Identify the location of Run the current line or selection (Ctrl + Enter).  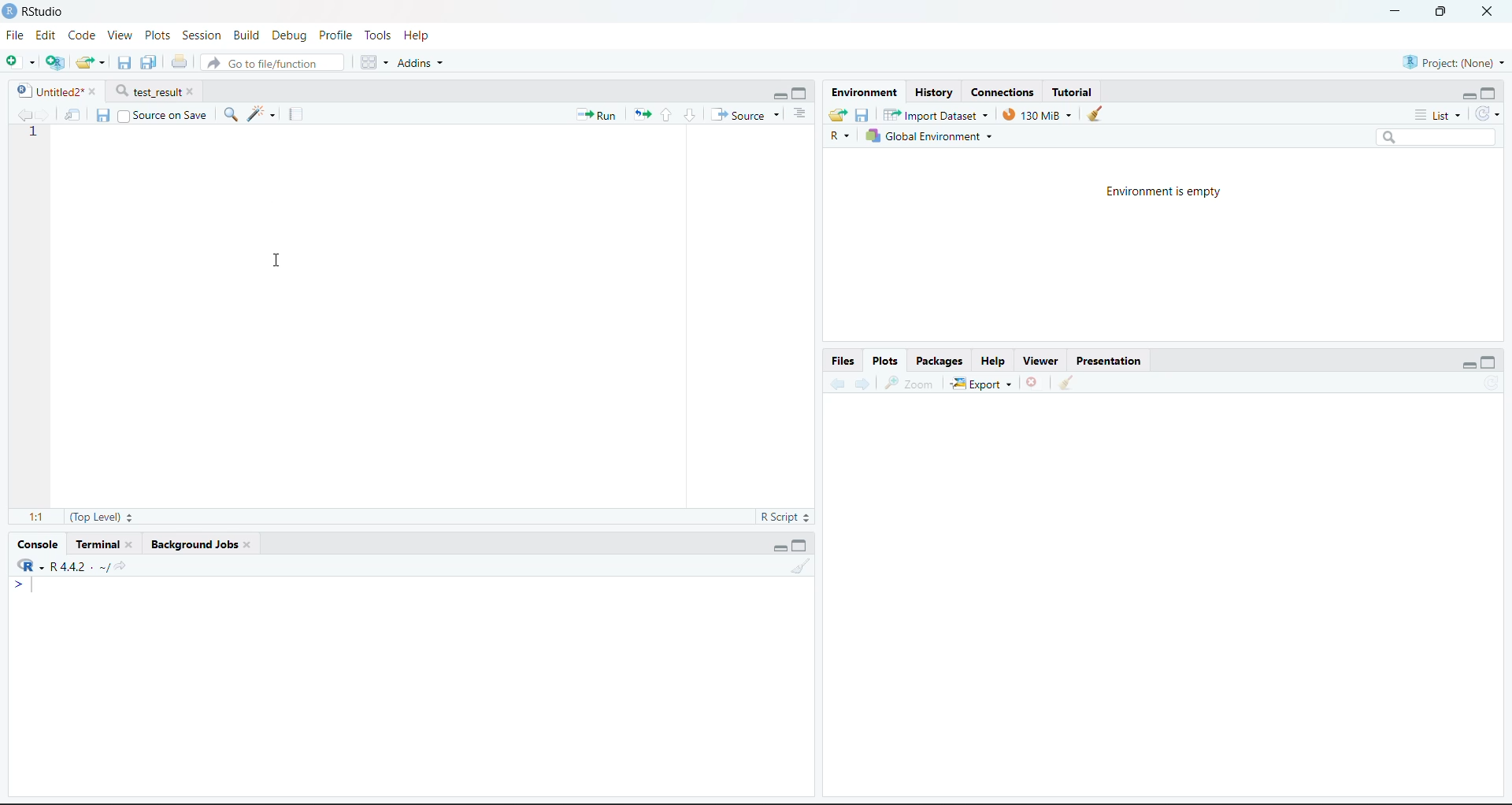
(593, 116).